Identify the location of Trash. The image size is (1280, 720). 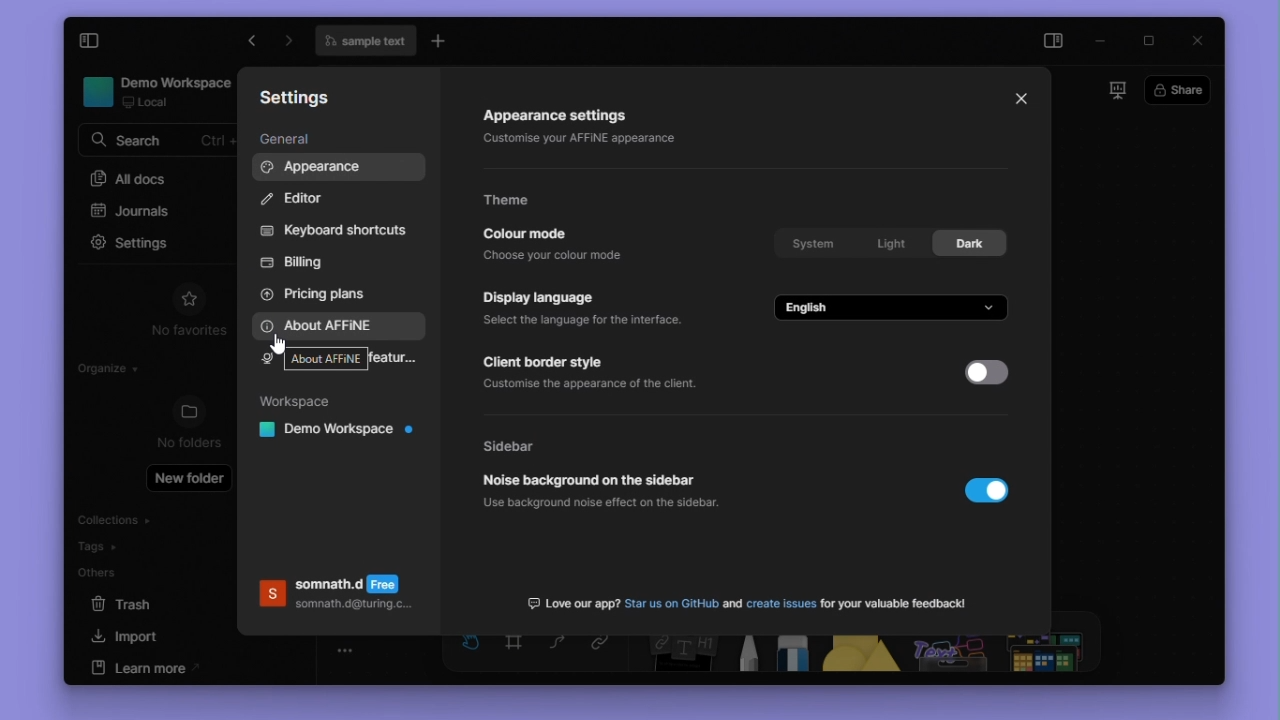
(123, 602).